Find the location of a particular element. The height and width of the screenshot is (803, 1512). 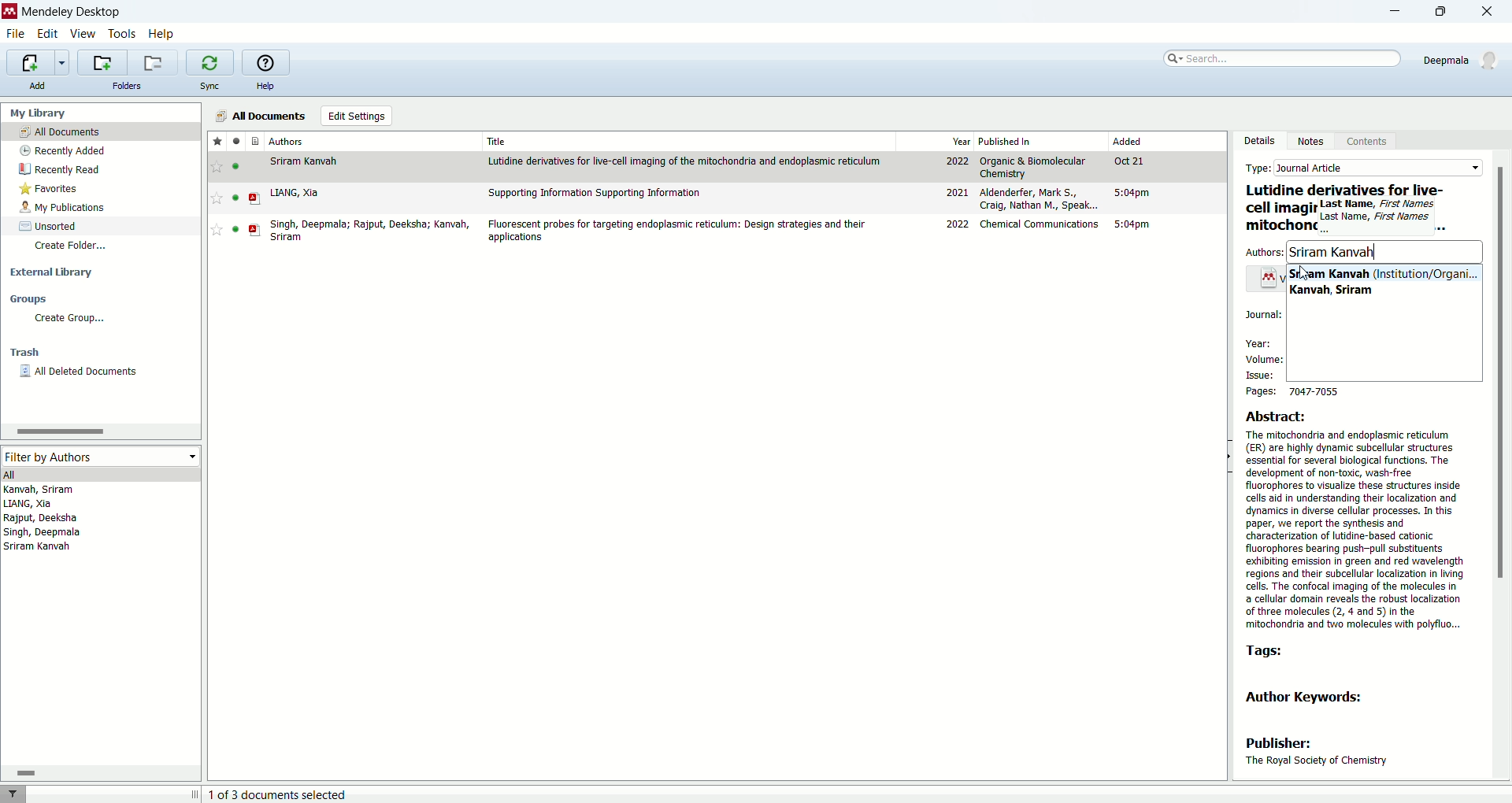

5:04 pm is located at coordinates (1137, 225).